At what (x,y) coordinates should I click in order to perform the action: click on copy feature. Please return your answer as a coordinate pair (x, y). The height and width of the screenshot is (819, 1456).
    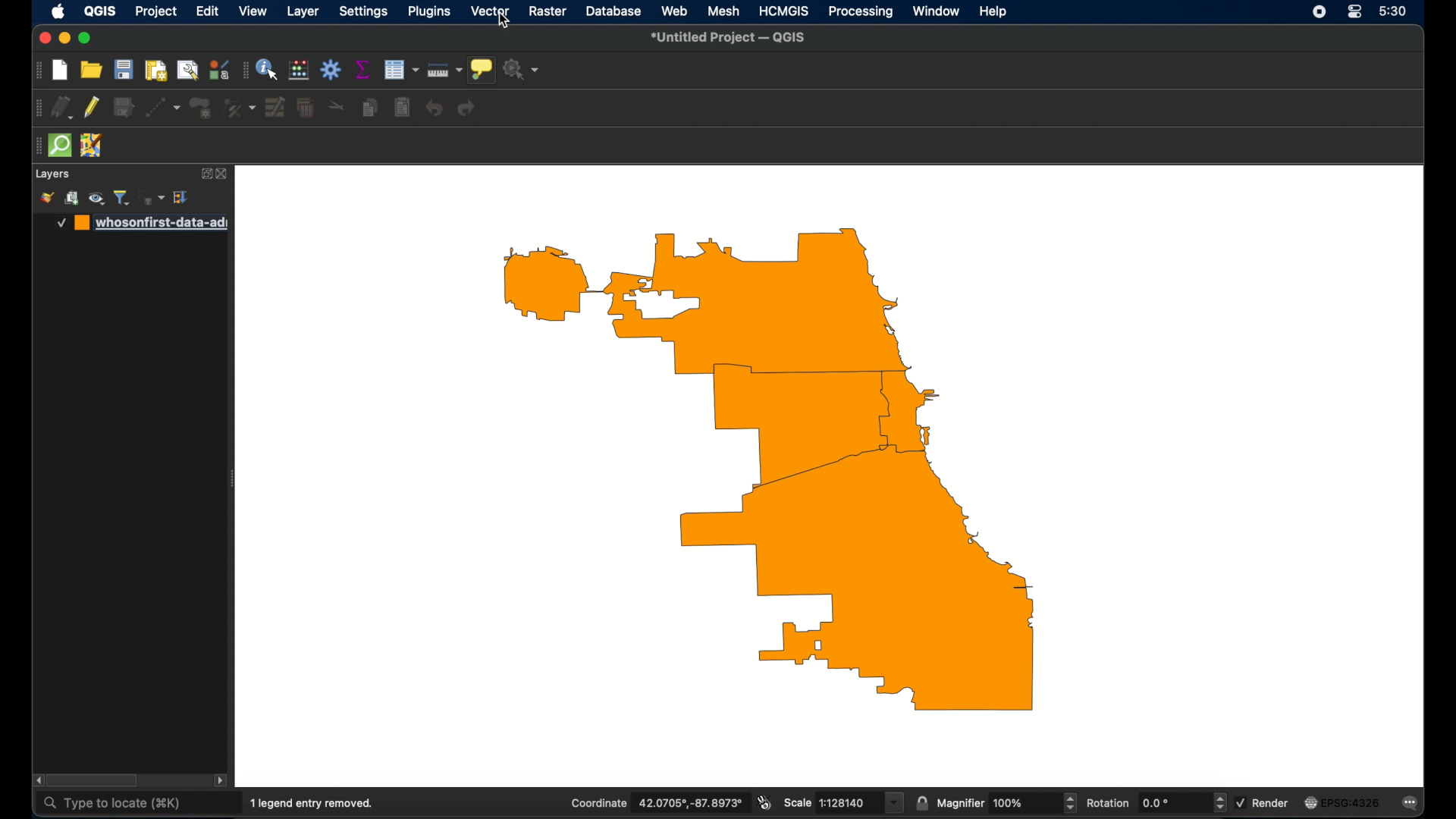
    Looking at the image, I should click on (370, 108).